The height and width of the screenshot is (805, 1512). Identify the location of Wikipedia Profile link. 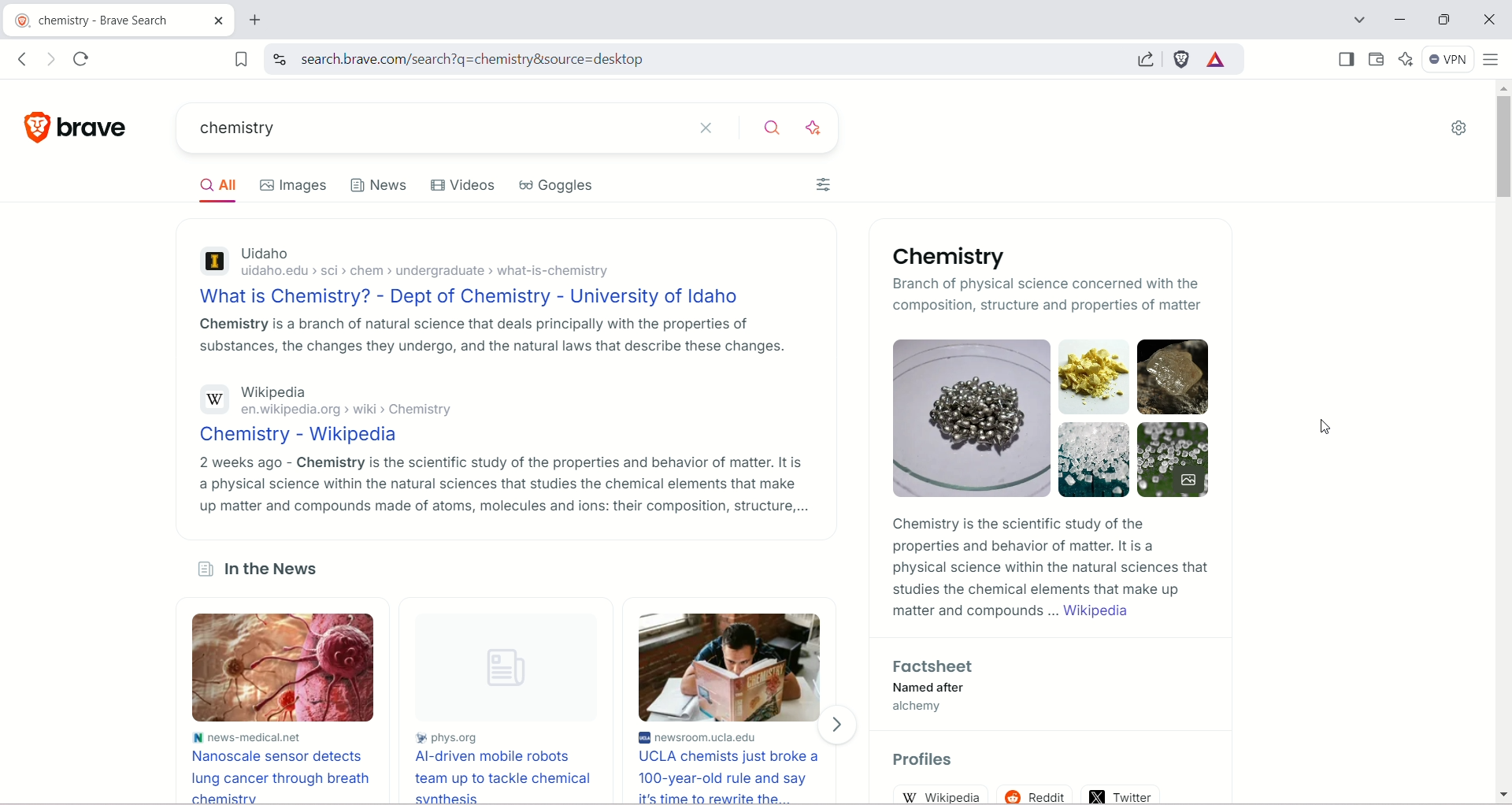
(943, 796).